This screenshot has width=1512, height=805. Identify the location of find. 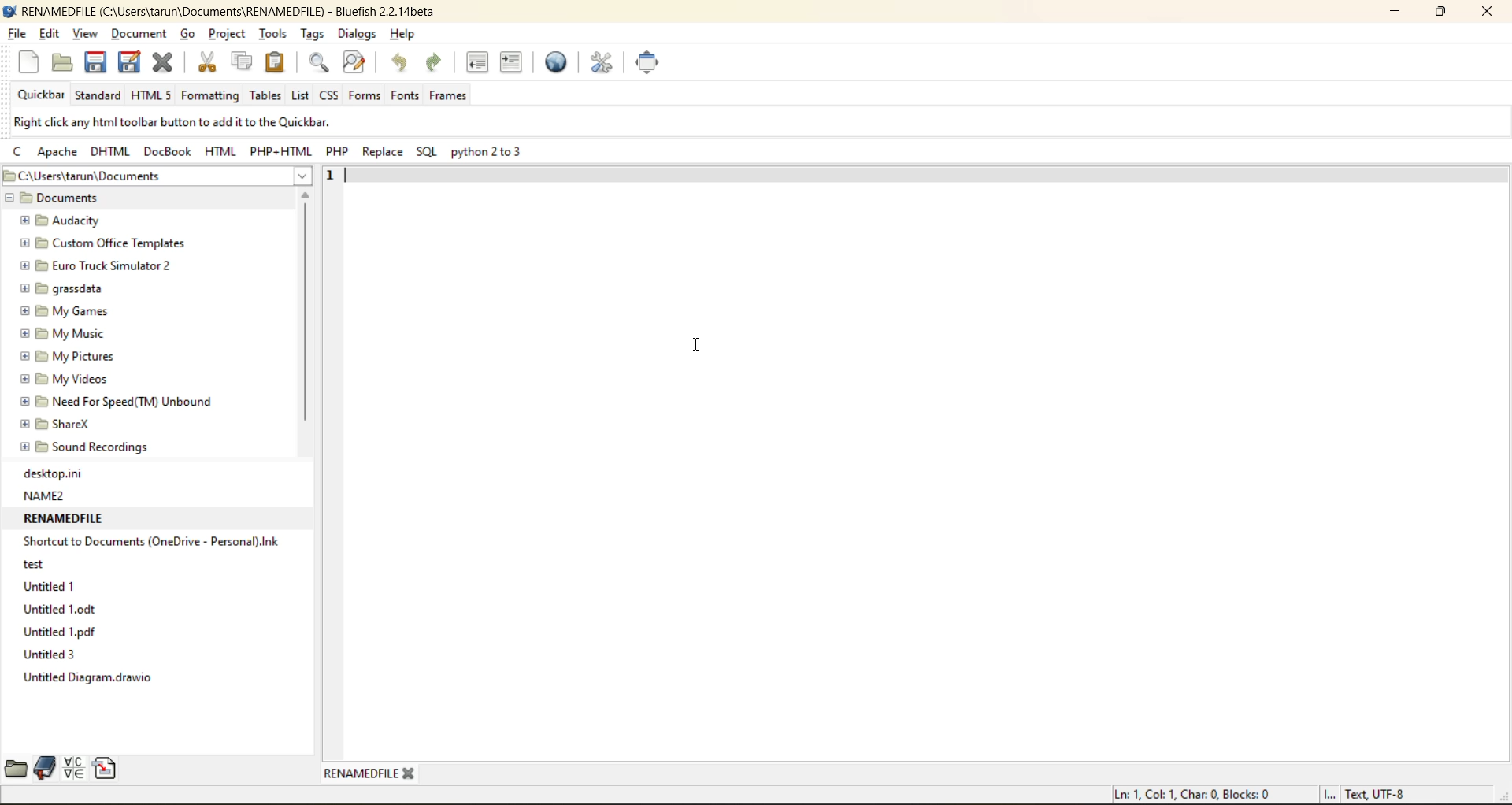
(317, 64).